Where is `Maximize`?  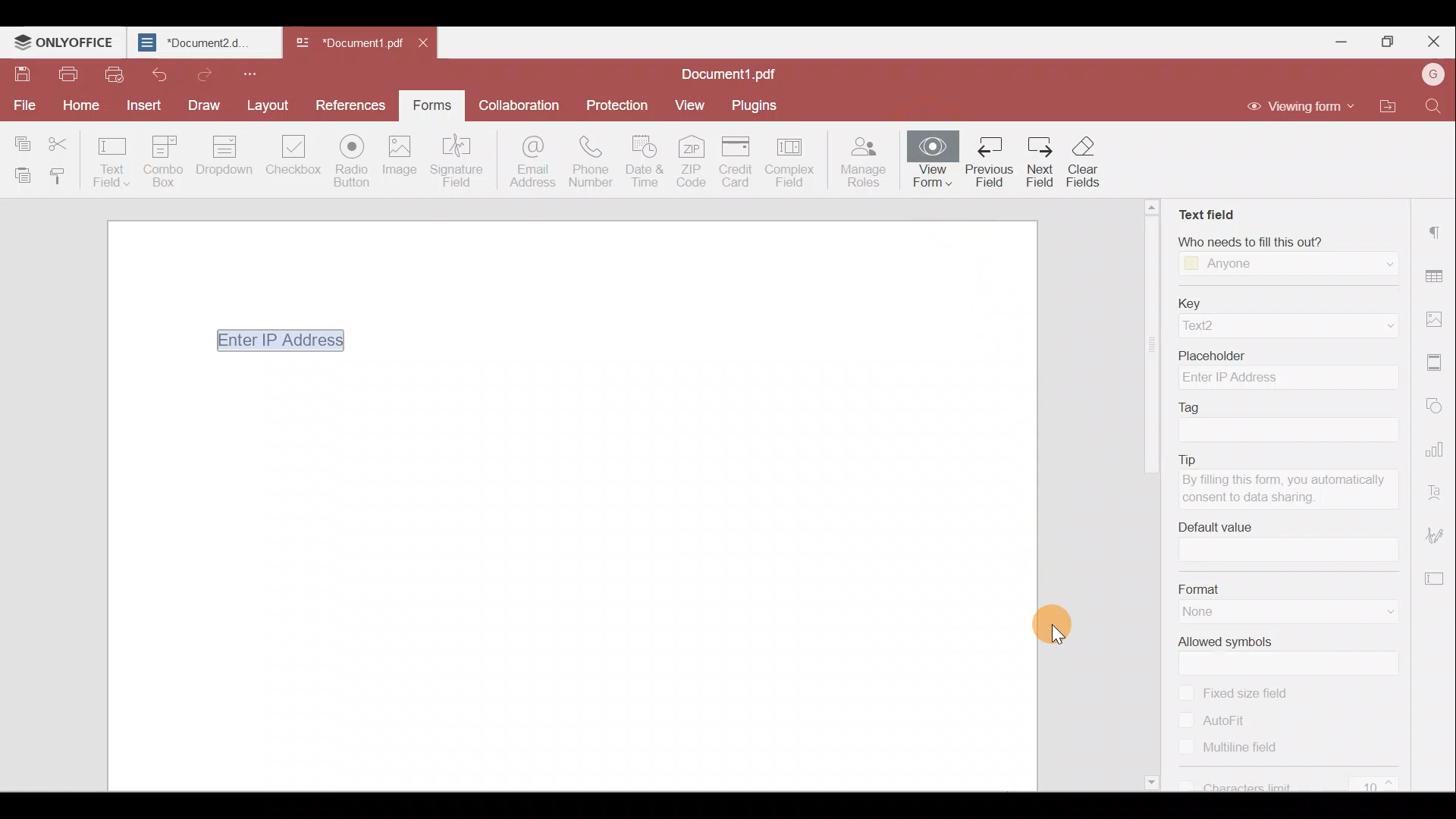
Maximize is located at coordinates (1387, 38).